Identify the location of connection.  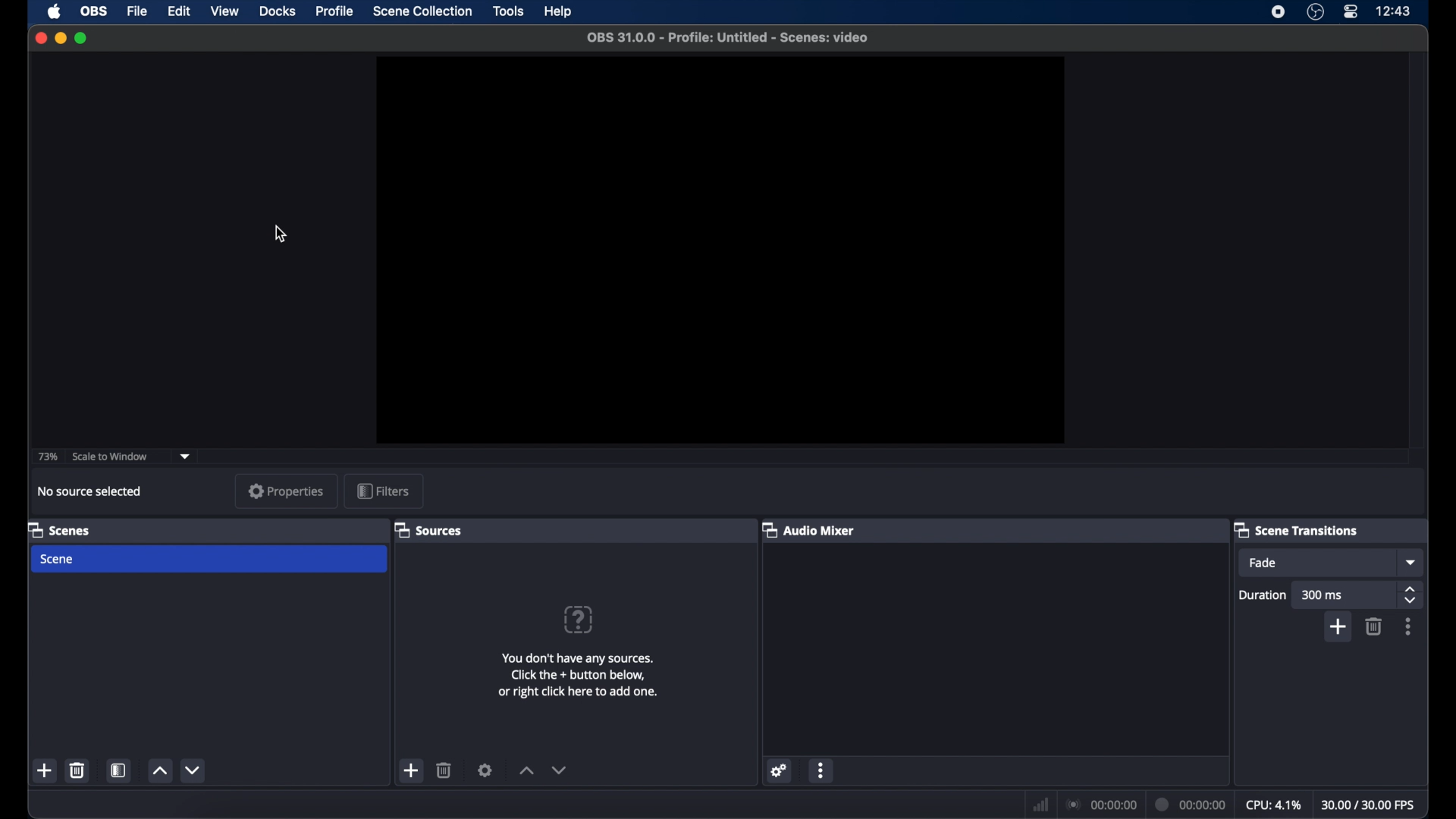
(1103, 804).